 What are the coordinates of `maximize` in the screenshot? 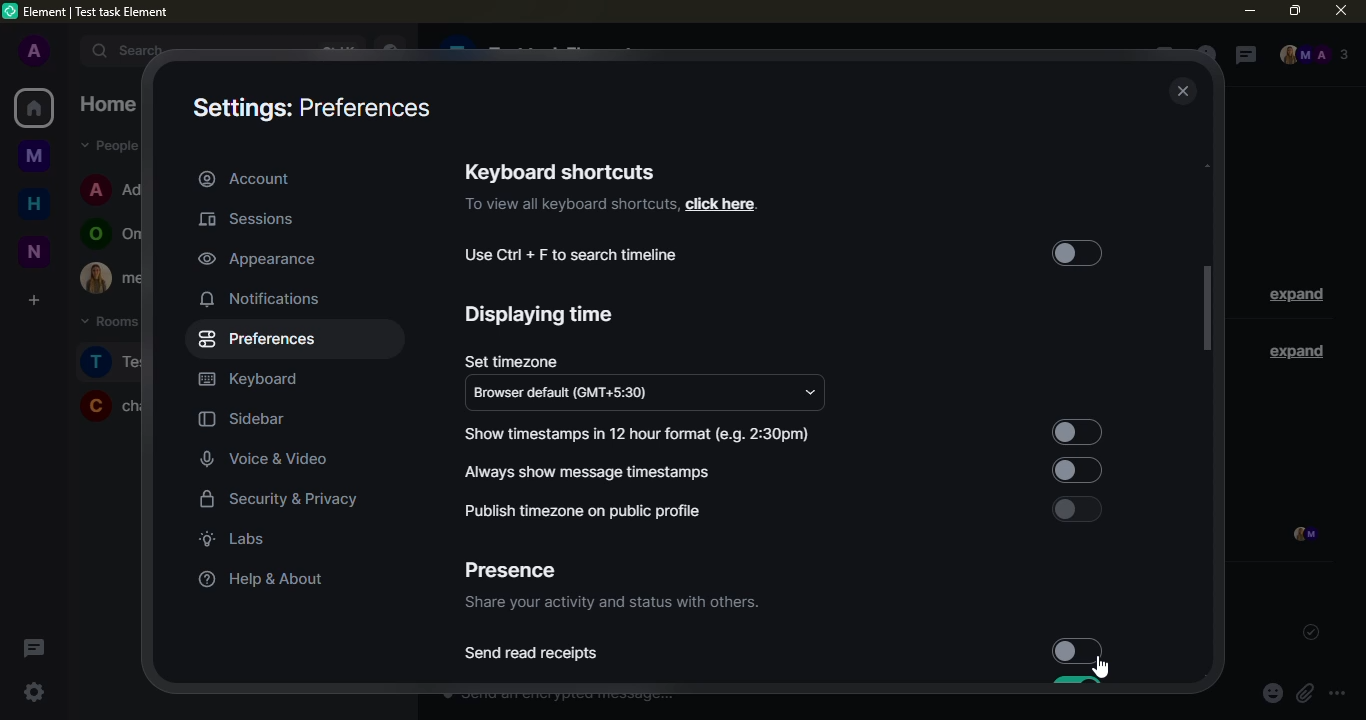 It's located at (1294, 9).